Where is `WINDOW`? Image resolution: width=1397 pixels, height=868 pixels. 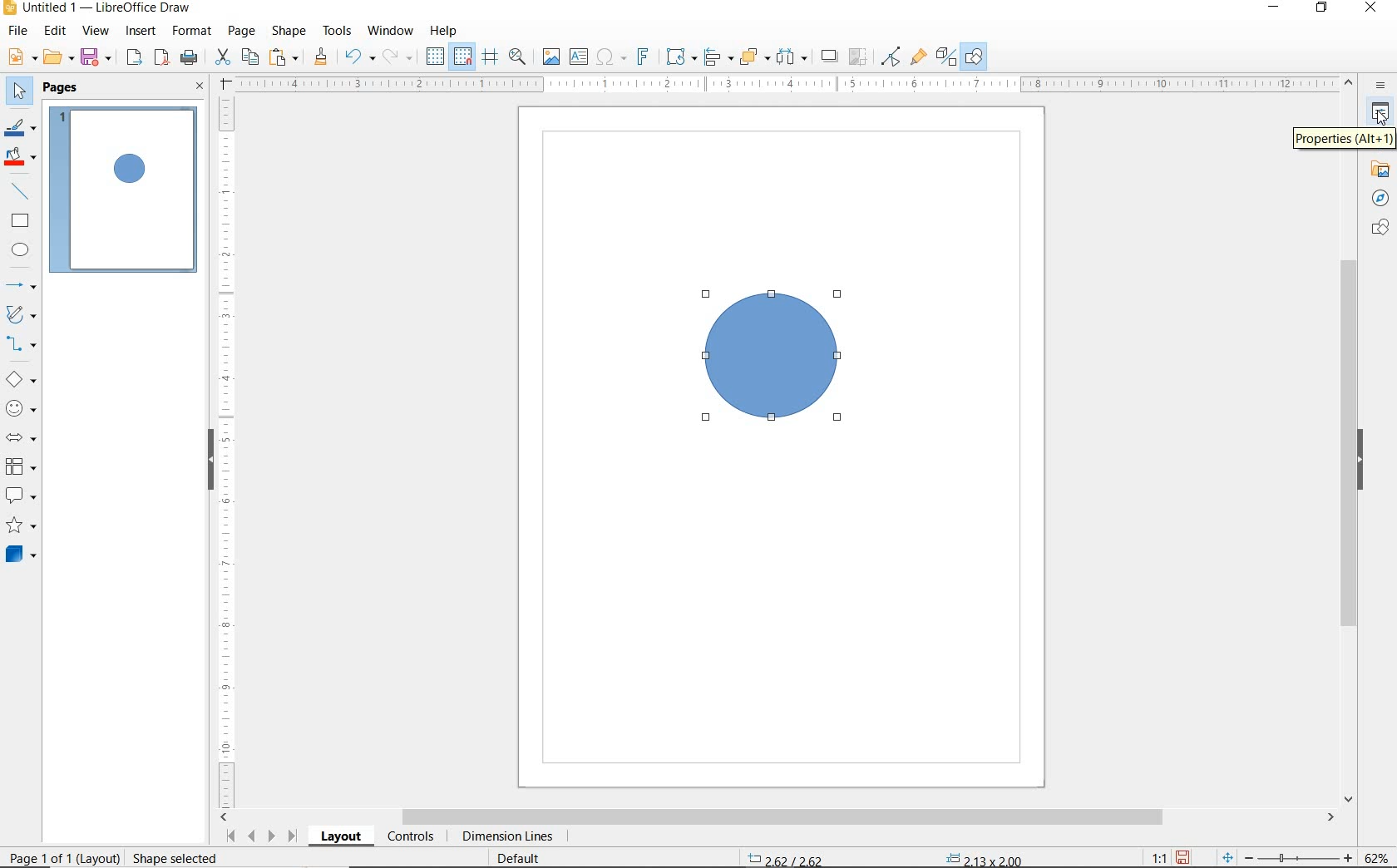 WINDOW is located at coordinates (391, 31).